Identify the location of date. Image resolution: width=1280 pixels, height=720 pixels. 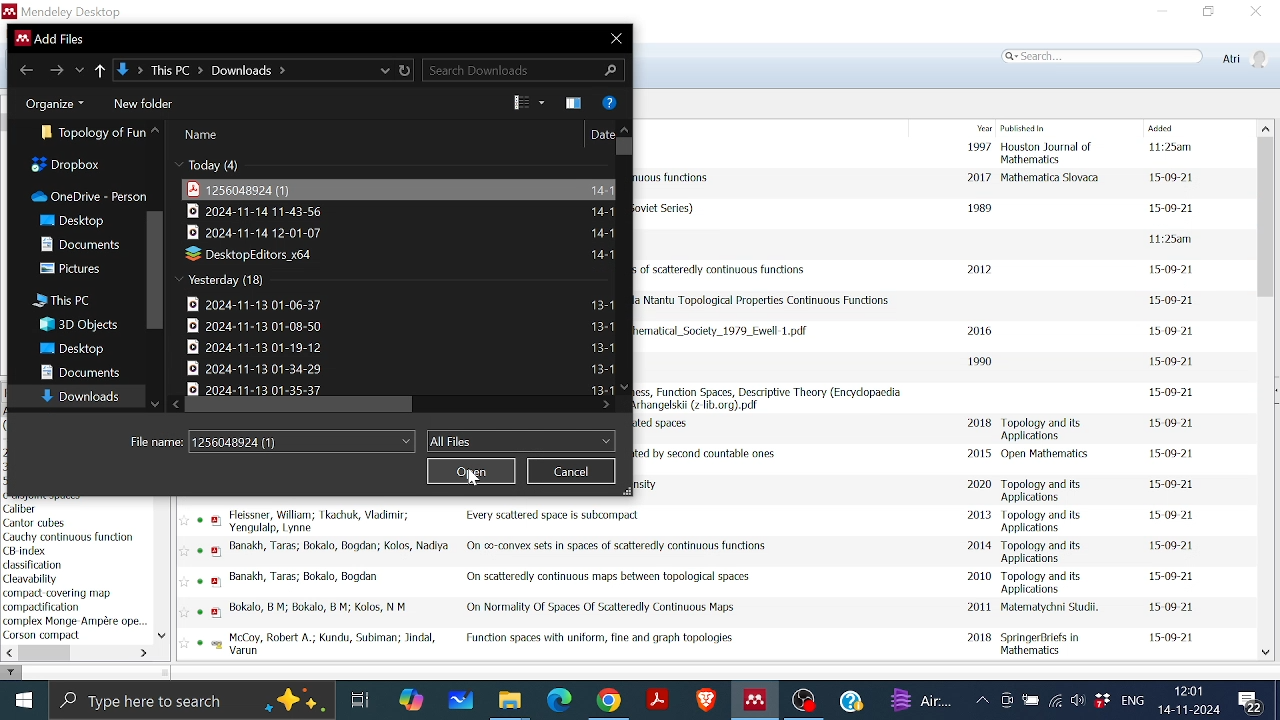
(1172, 330).